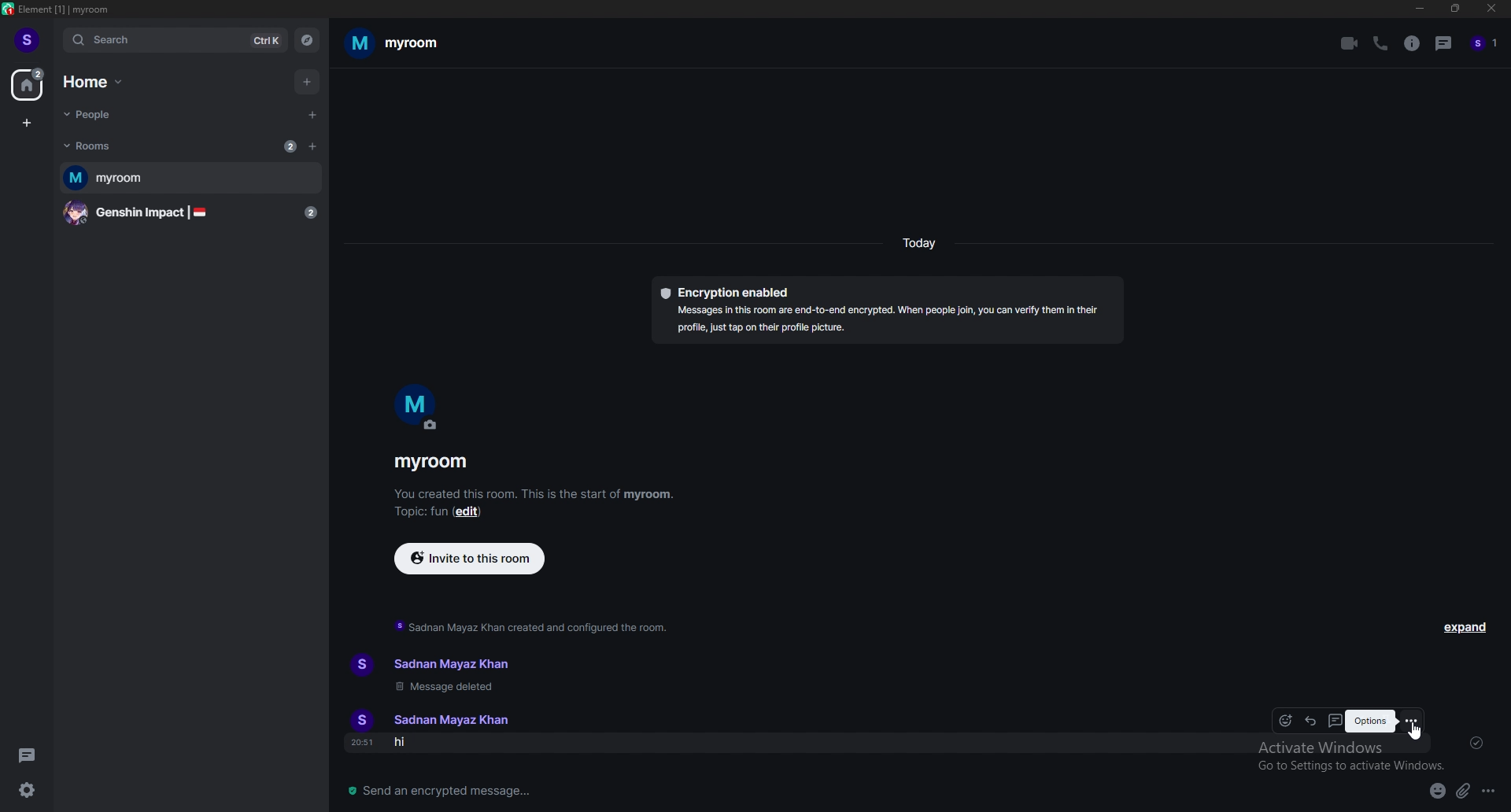  What do you see at coordinates (305, 82) in the screenshot?
I see `add` at bounding box center [305, 82].